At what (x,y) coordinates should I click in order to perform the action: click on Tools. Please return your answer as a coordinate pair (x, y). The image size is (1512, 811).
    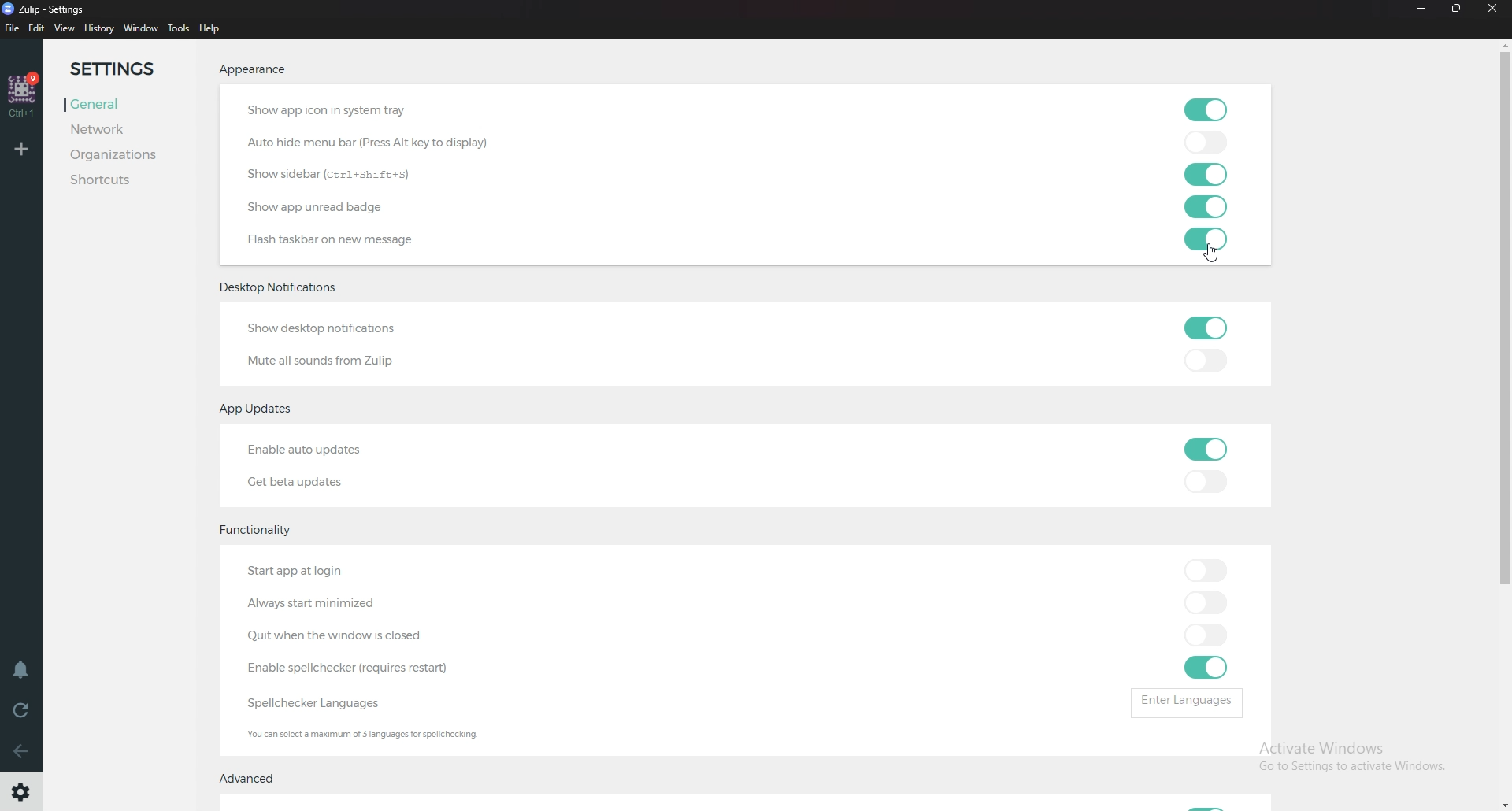
    Looking at the image, I should click on (179, 29).